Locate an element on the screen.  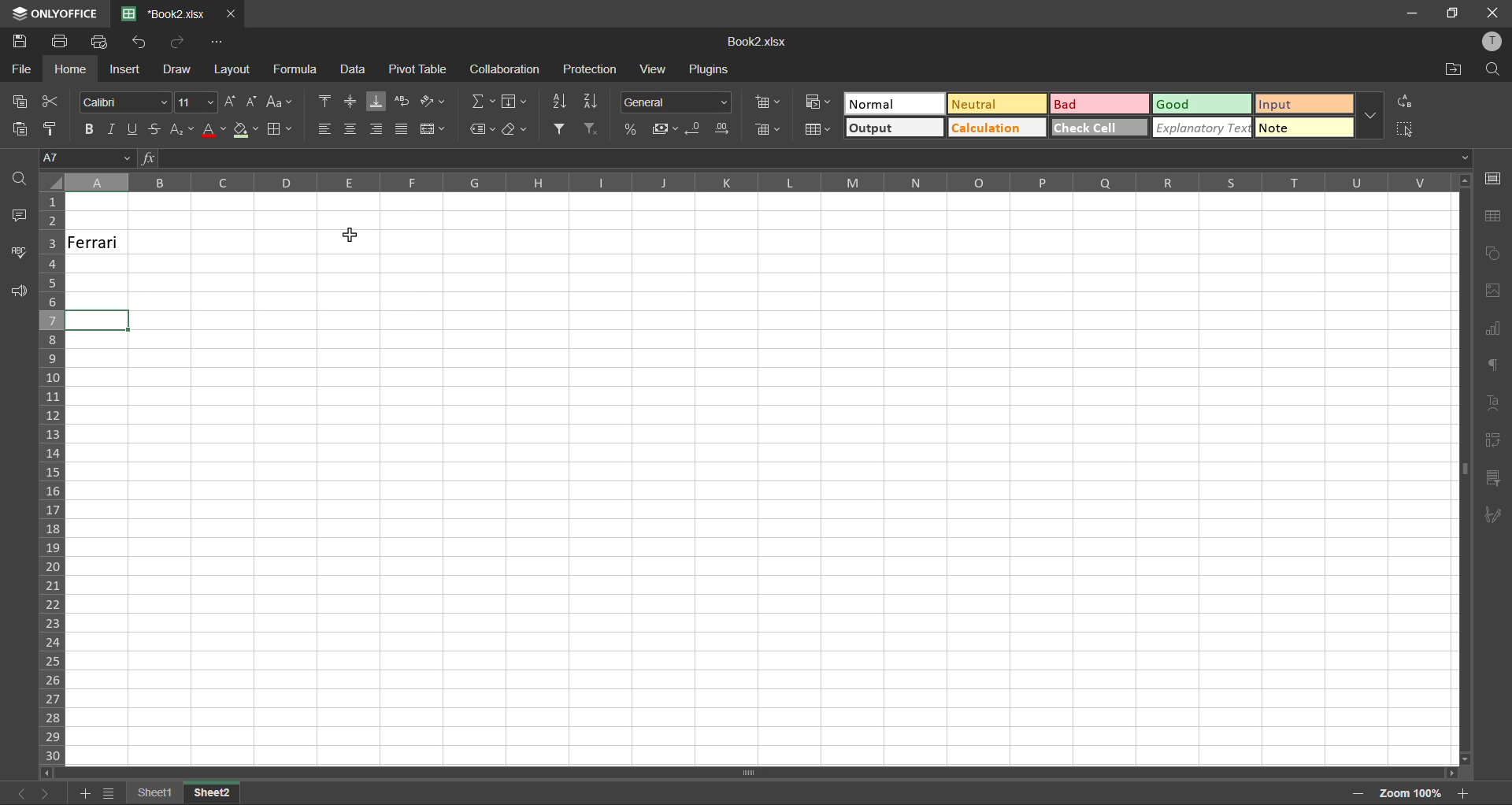
print is located at coordinates (63, 44).